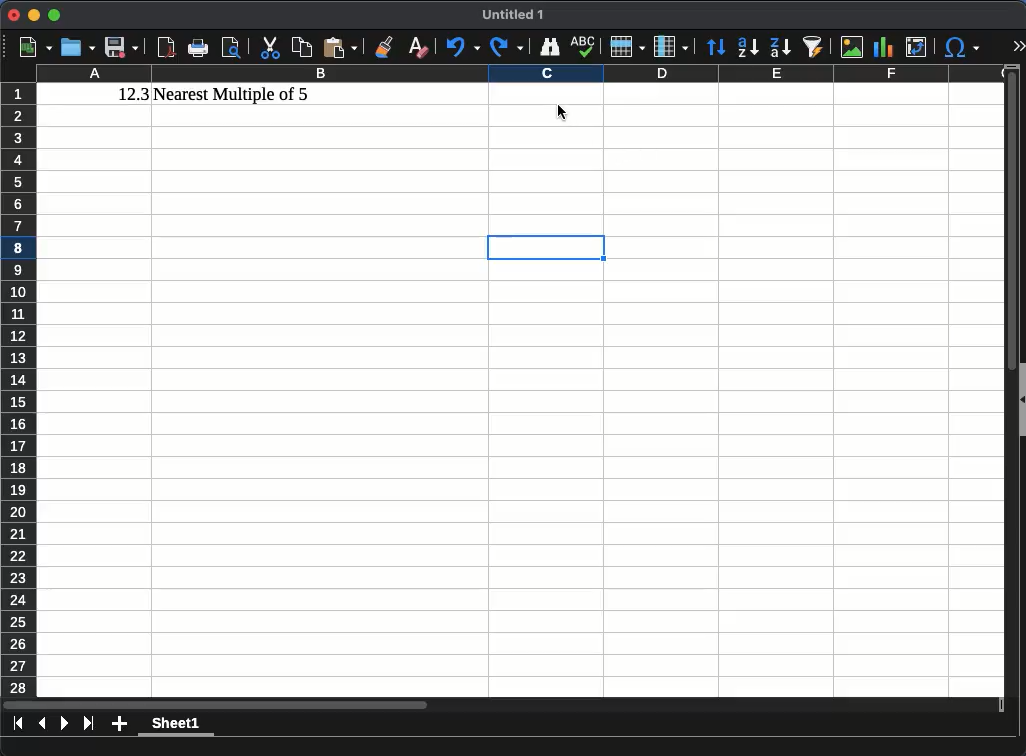  Describe the element at coordinates (583, 45) in the screenshot. I see `spell check` at that location.